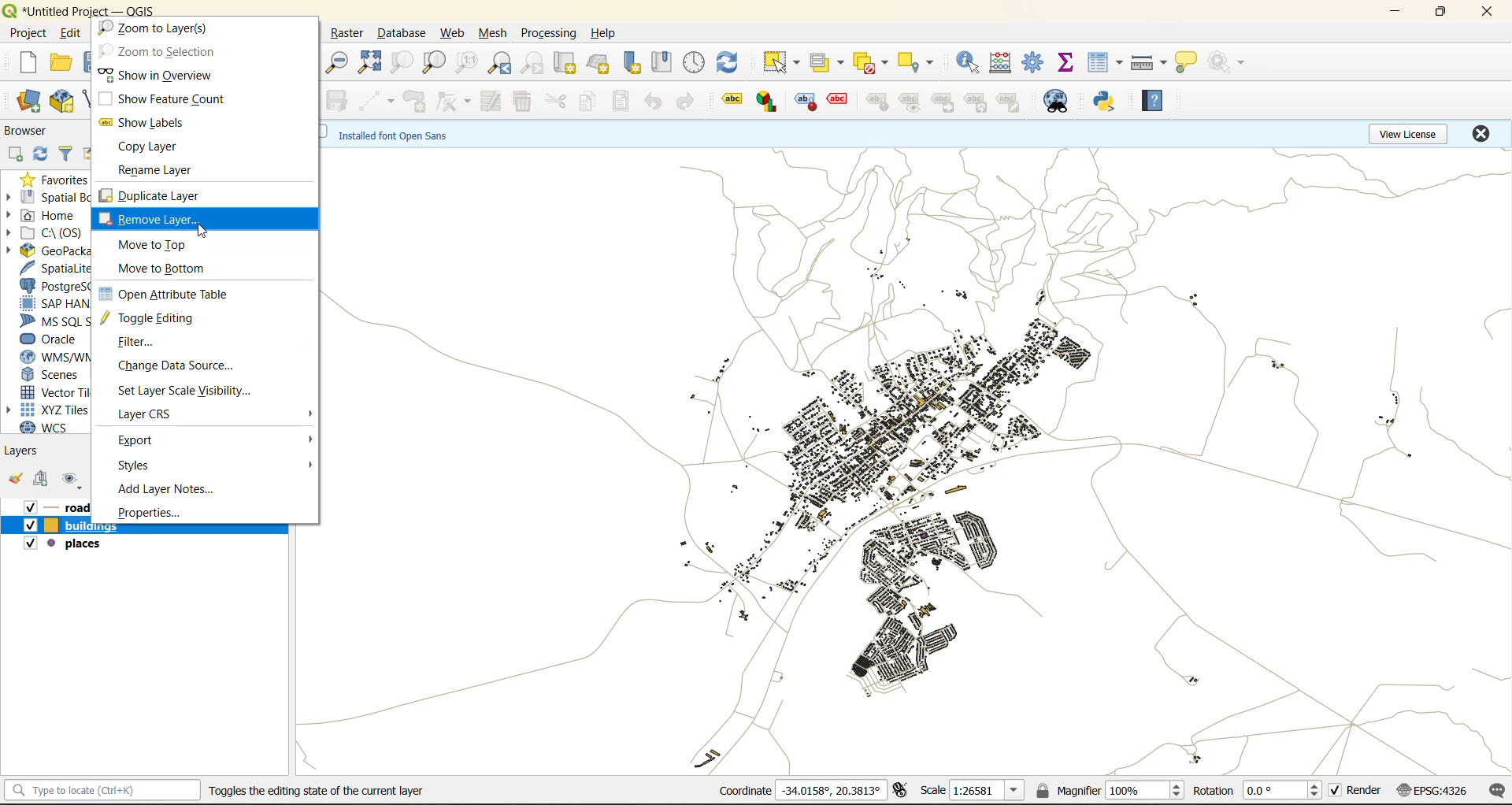 The height and width of the screenshot is (805, 1512). I want to click on styles, so click(139, 466).